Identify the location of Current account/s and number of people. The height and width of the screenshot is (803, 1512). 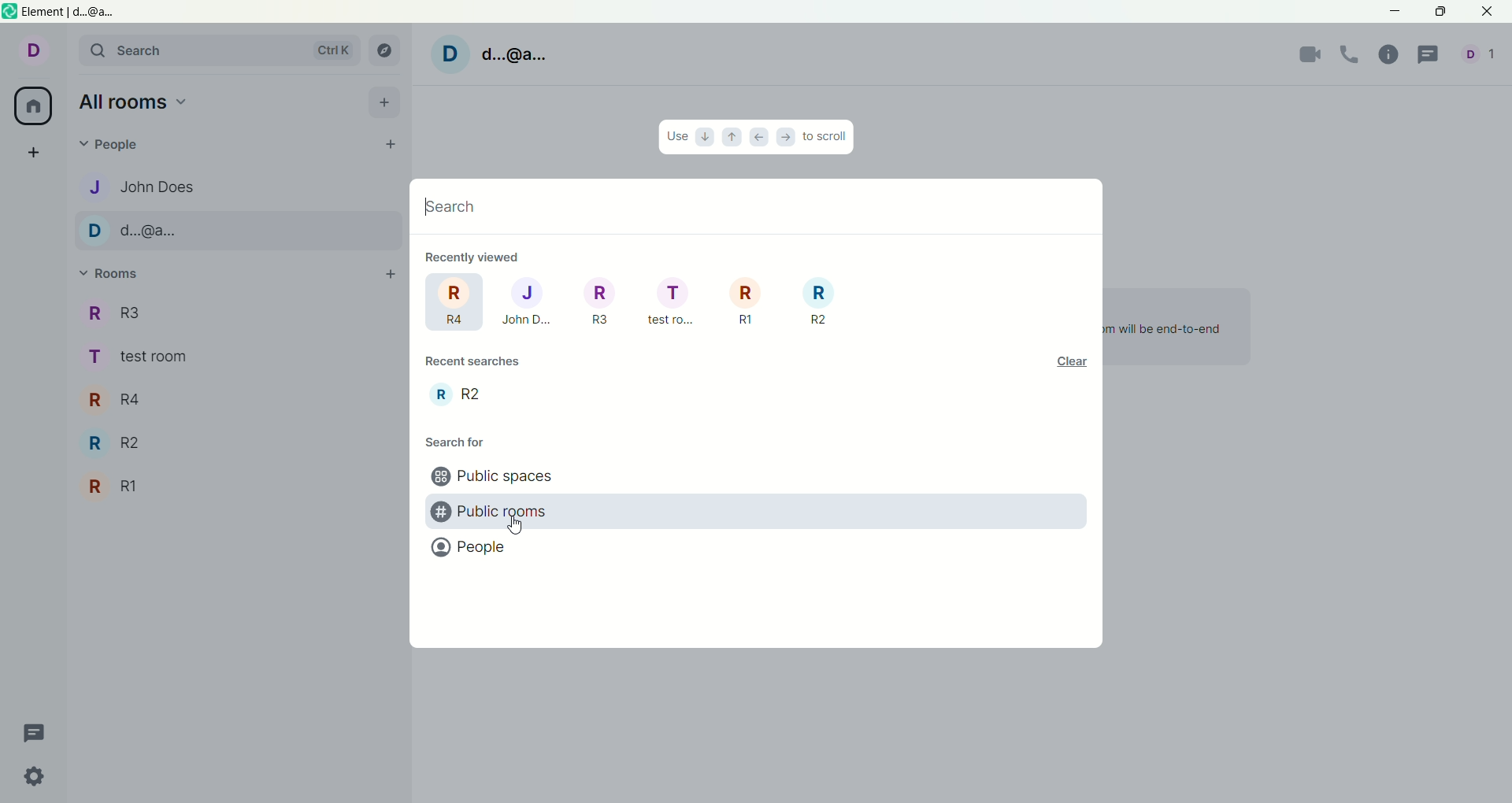
(1482, 54).